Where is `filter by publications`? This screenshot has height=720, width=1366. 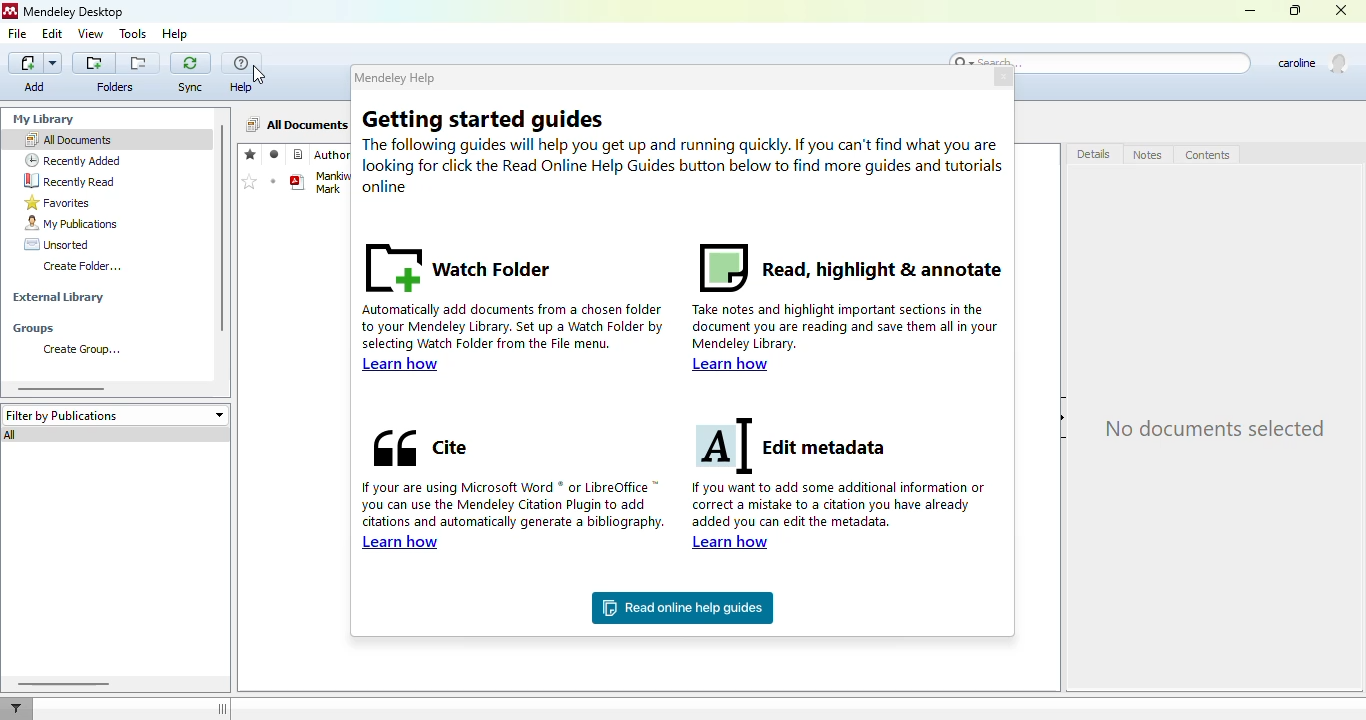
filter by publications is located at coordinates (115, 415).